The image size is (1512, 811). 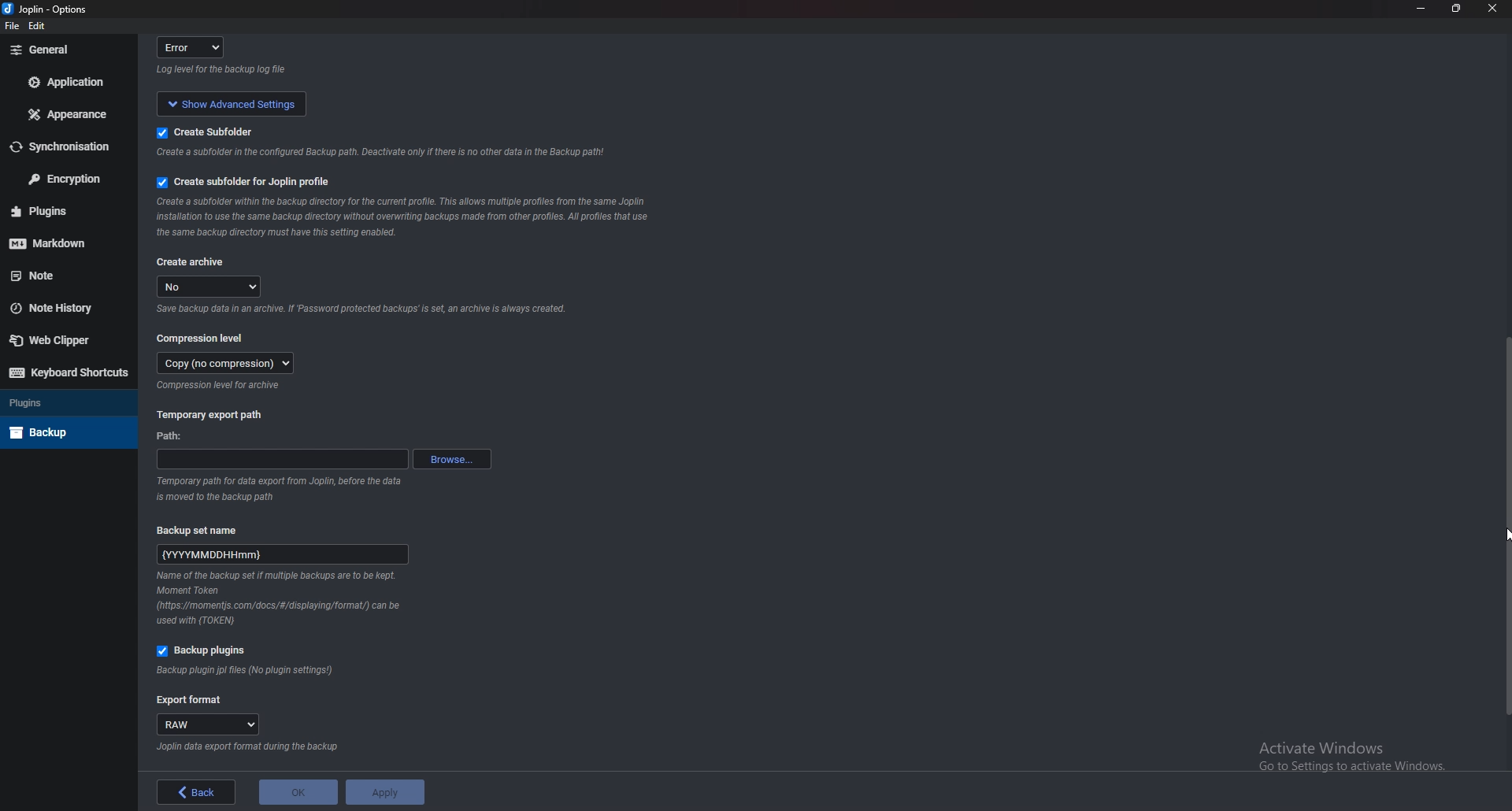 What do you see at coordinates (64, 432) in the screenshot?
I see `Back up` at bounding box center [64, 432].